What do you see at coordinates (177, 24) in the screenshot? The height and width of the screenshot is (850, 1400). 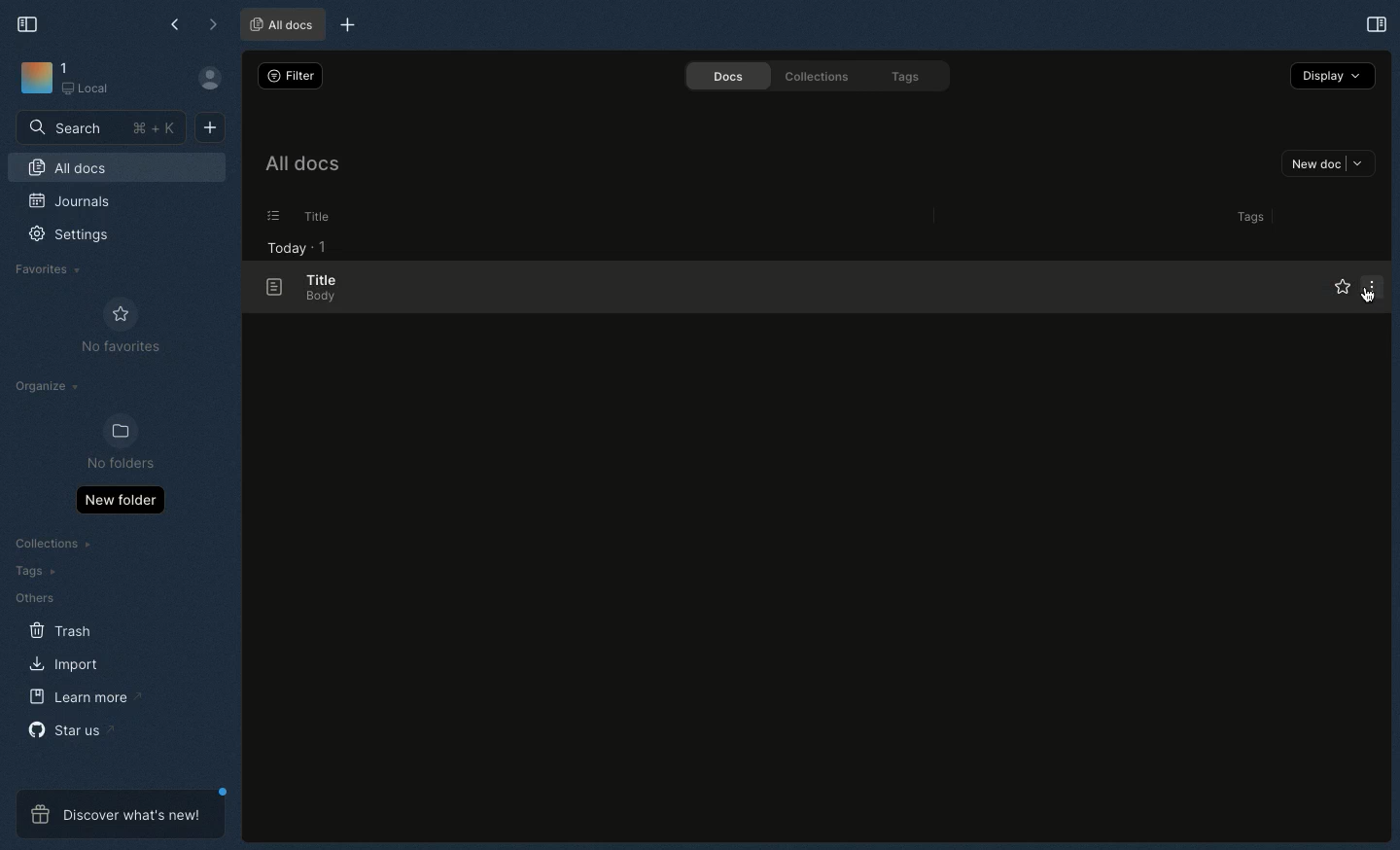 I see `Back` at bounding box center [177, 24].